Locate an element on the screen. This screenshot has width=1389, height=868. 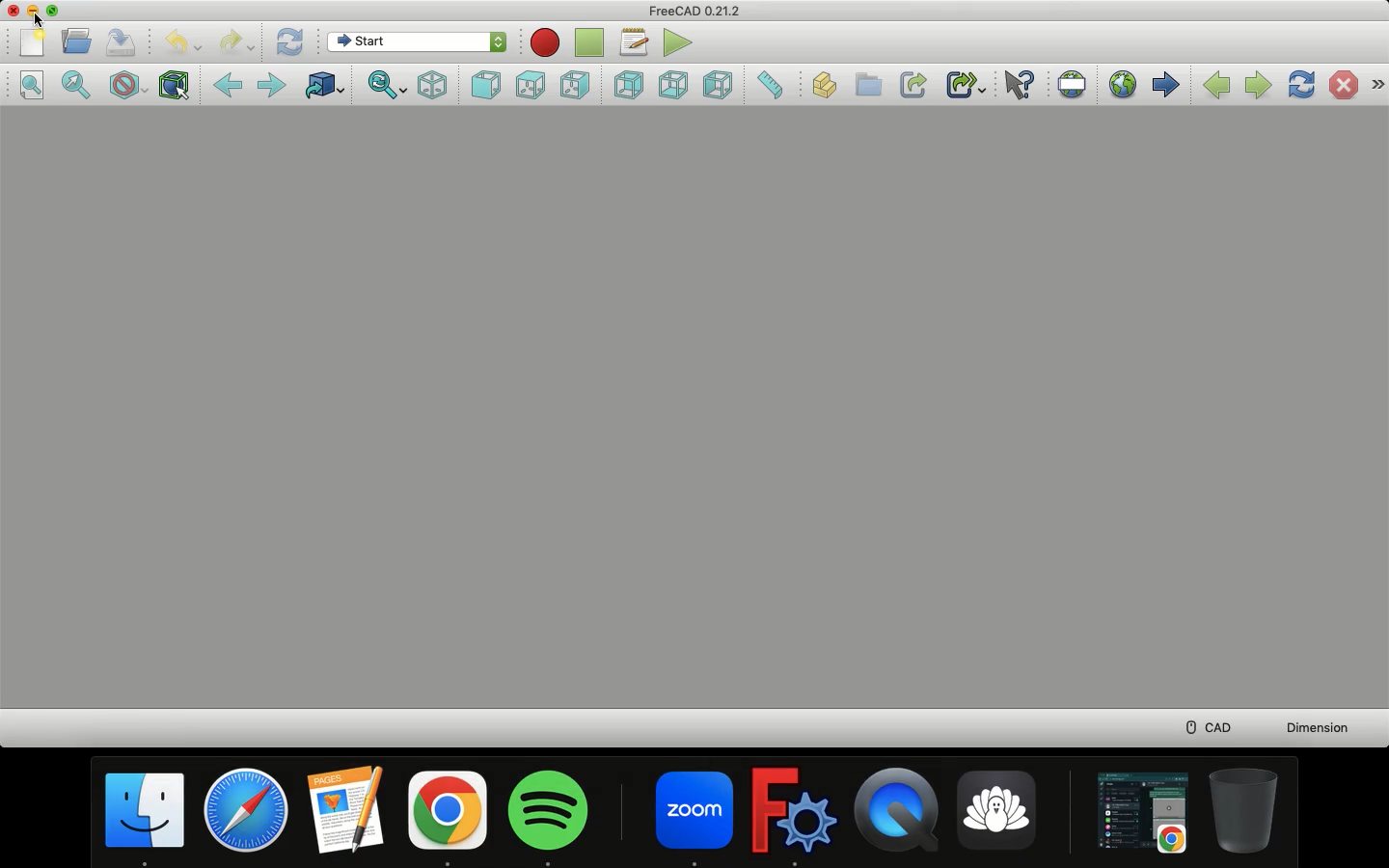
Make sub-link is located at coordinates (966, 84).